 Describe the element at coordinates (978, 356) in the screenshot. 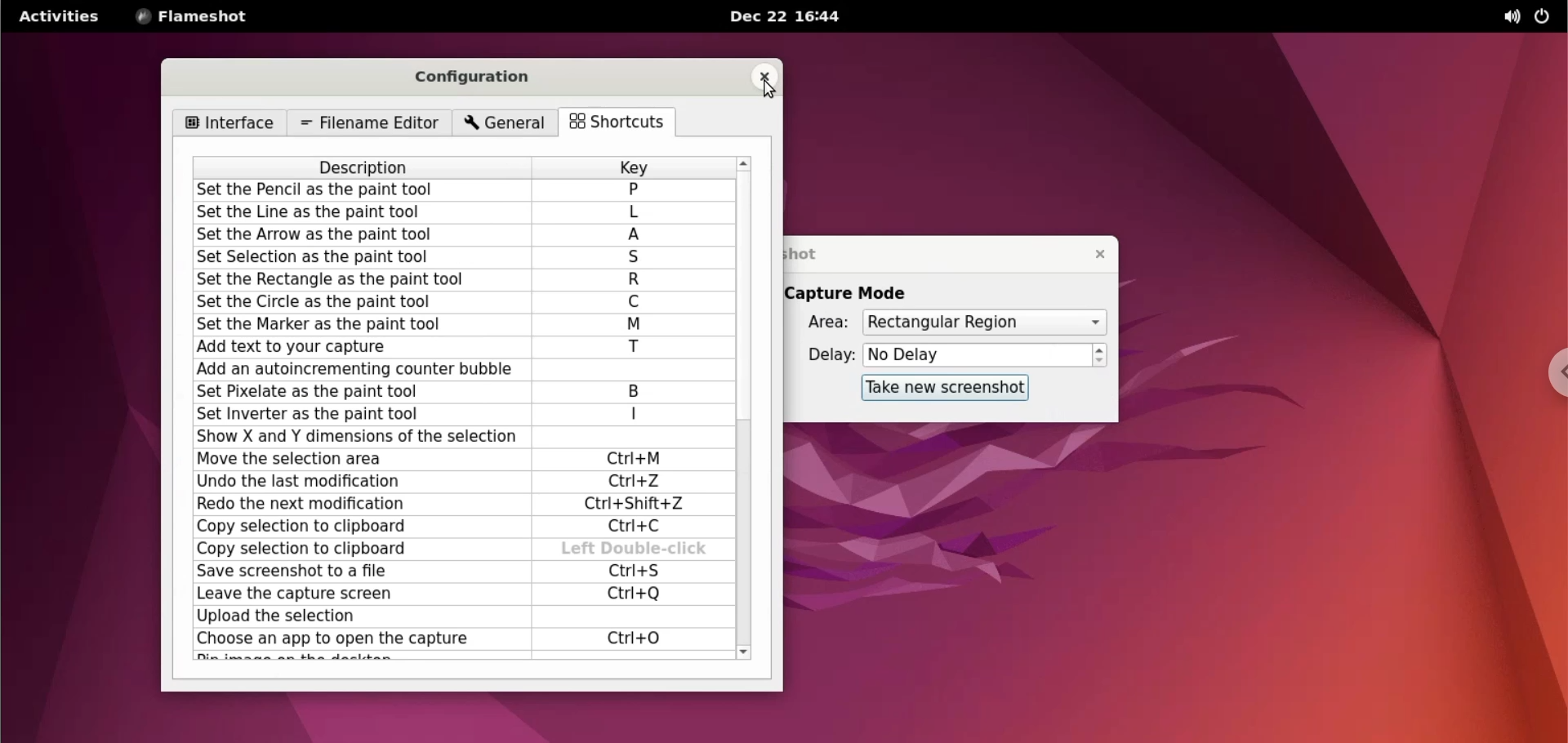

I see `delay time input box` at that location.